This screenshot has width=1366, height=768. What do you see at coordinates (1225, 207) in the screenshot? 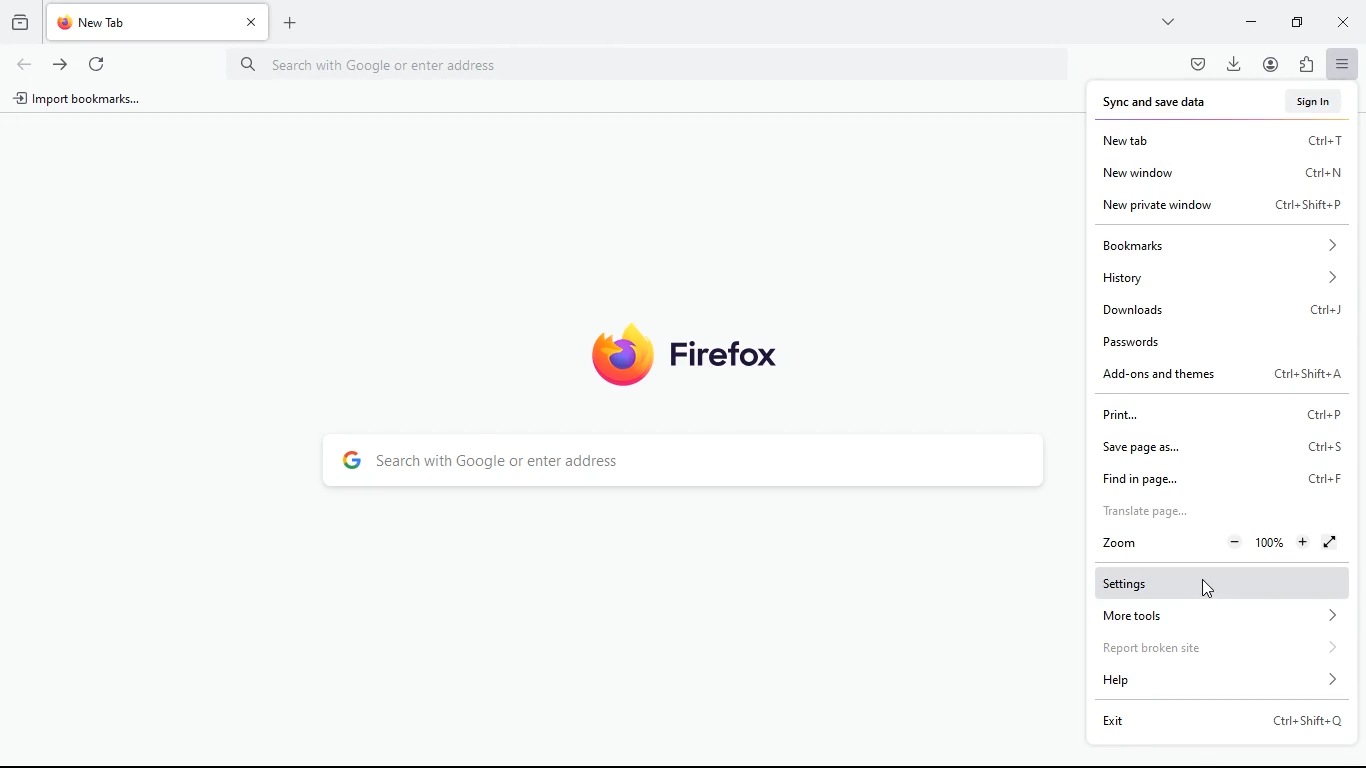
I see `new private window` at bounding box center [1225, 207].